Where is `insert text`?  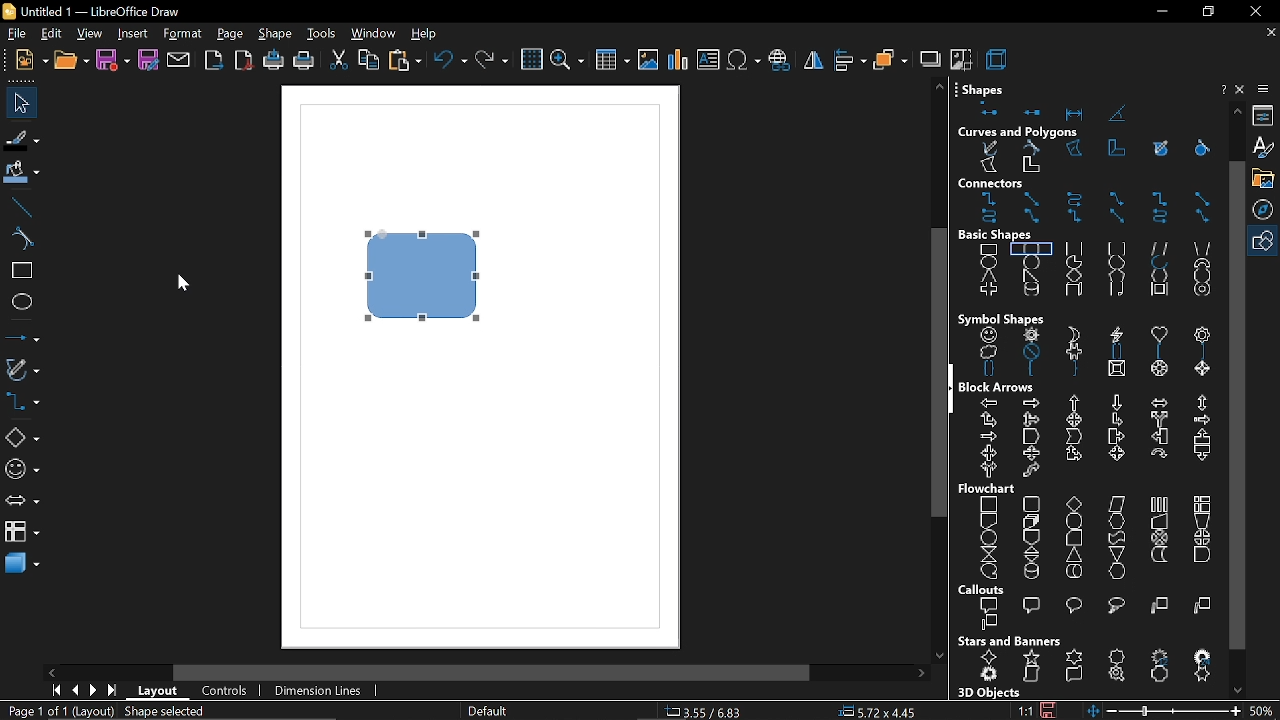
insert text is located at coordinates (708, 61).